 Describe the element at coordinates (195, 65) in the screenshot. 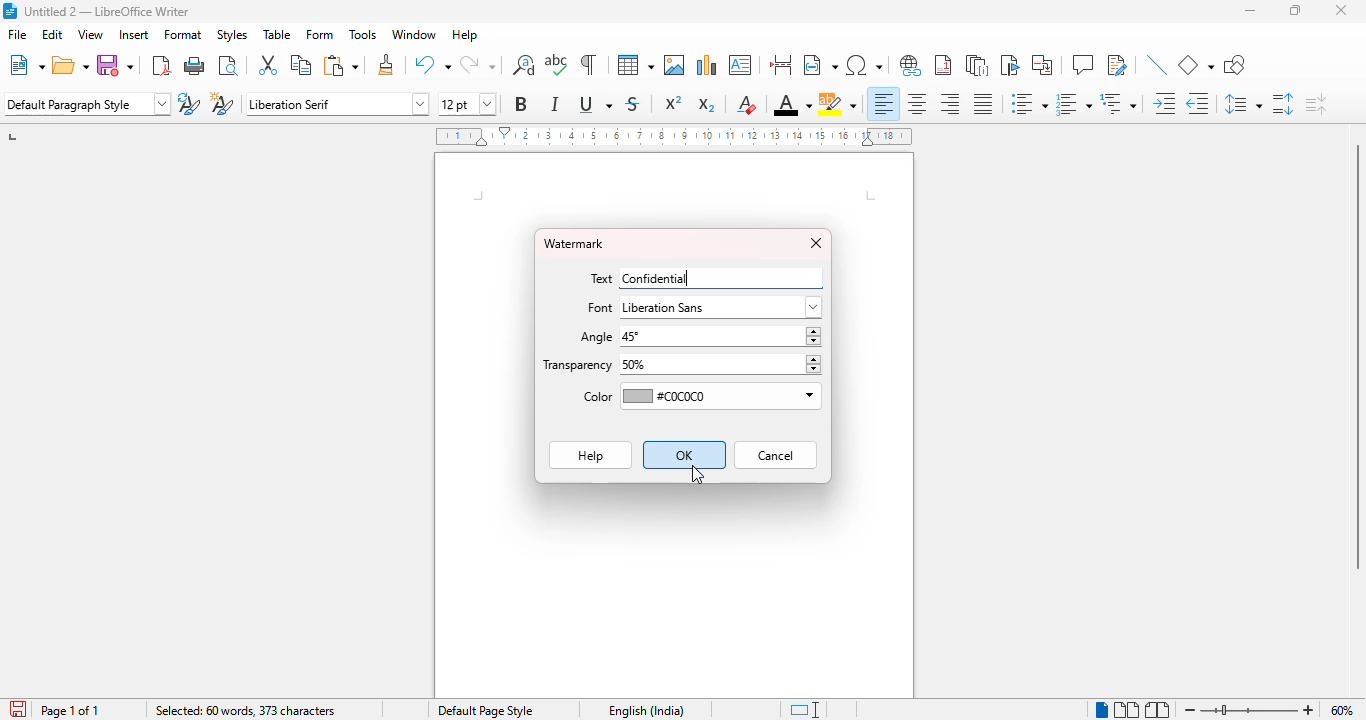

I see `print` at that location.